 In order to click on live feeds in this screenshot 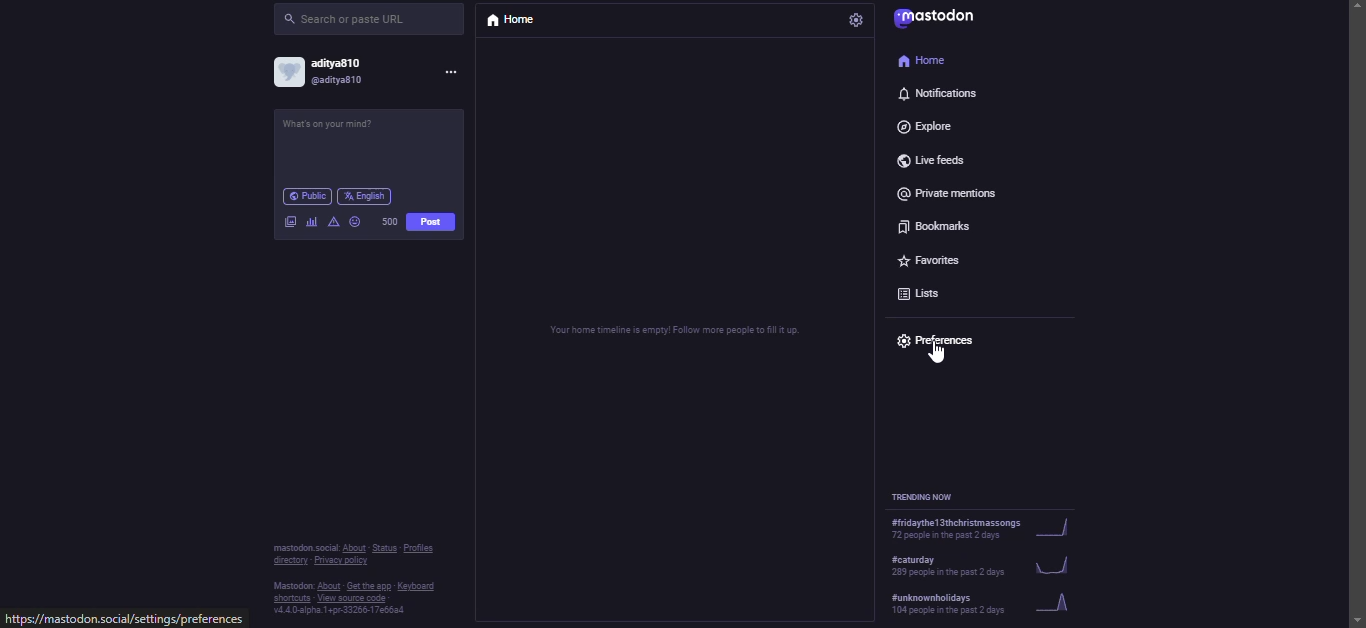, I will do `click(929, 157)`.